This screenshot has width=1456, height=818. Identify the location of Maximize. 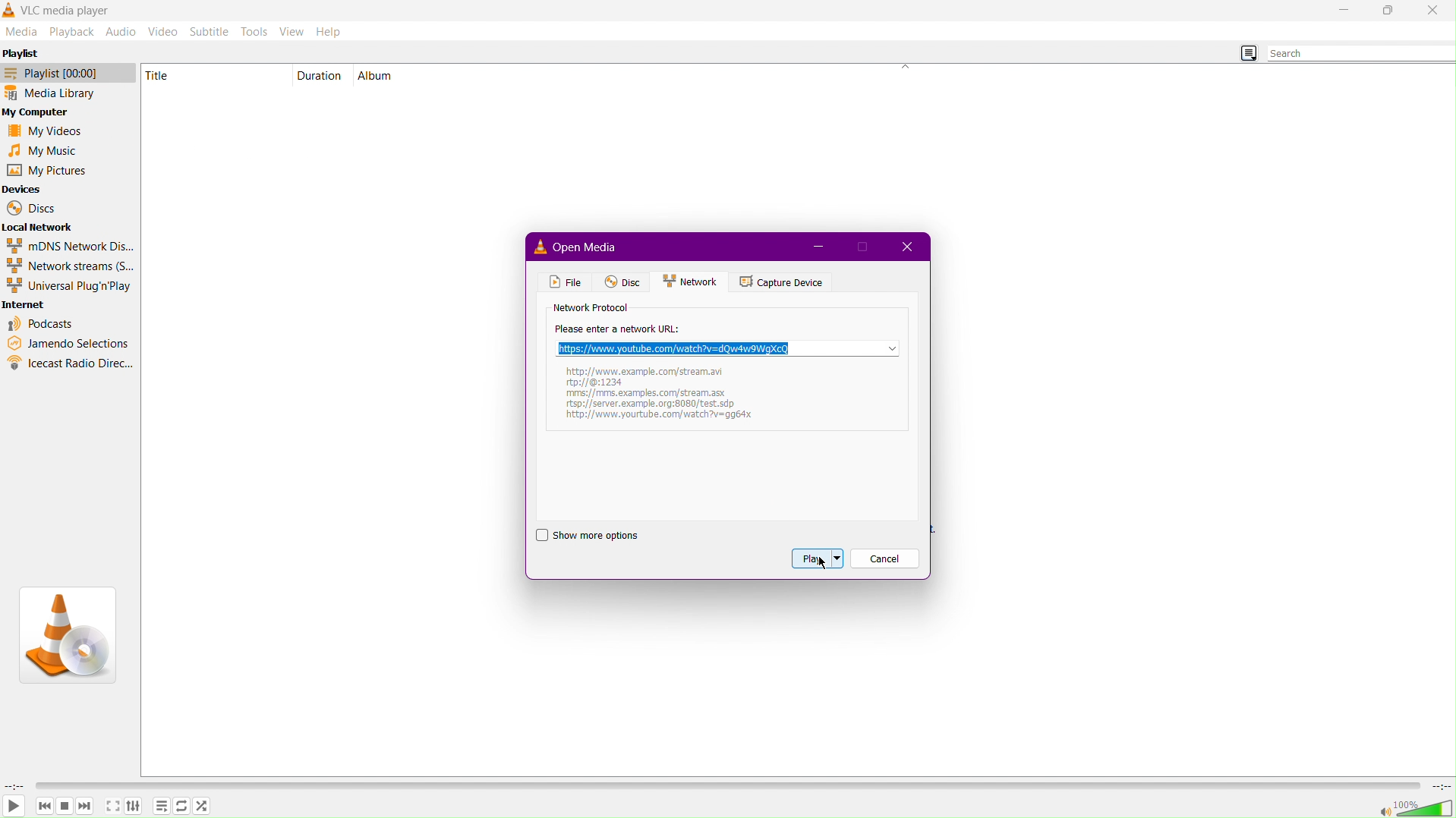
(1387, 11).